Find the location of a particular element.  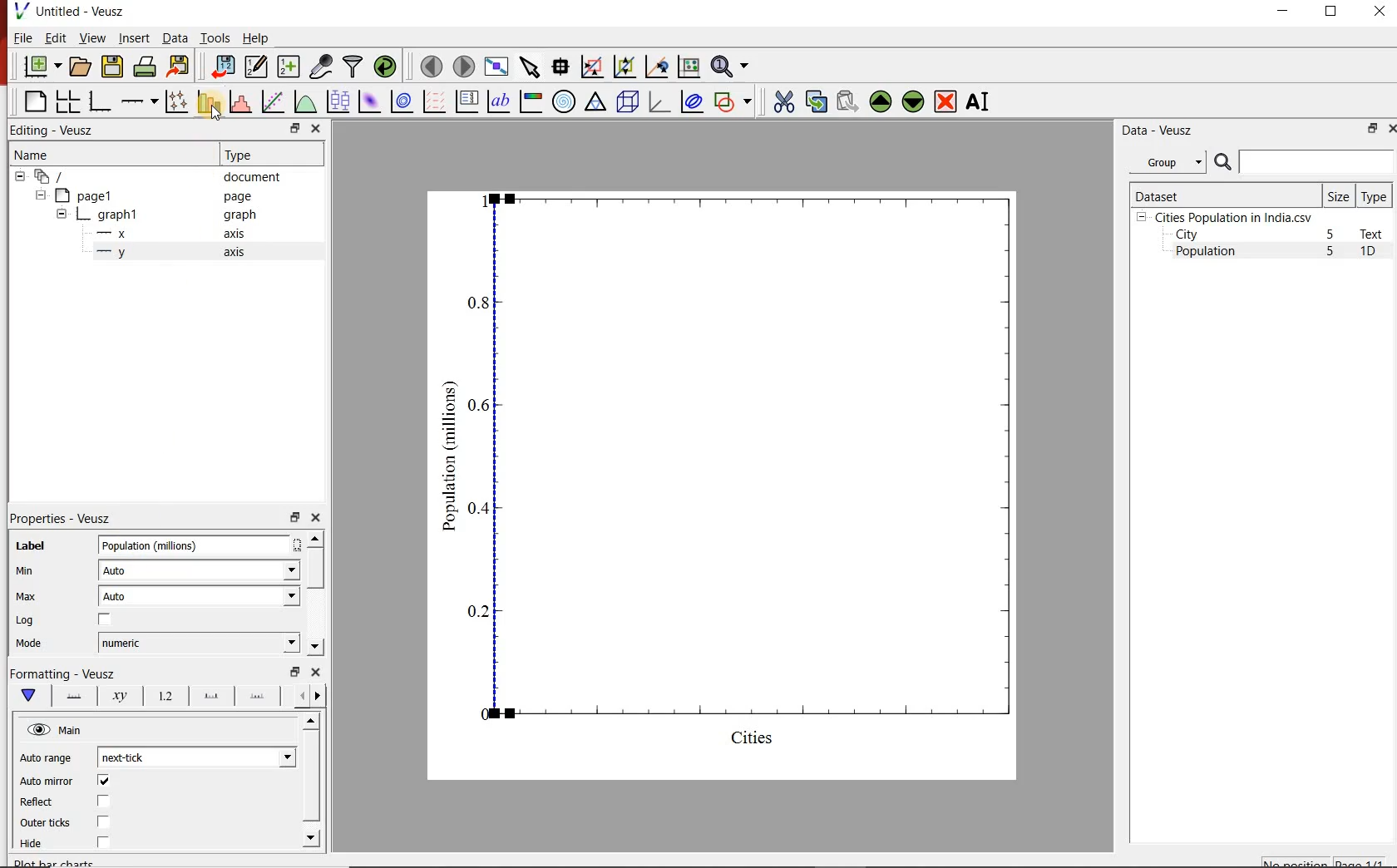

y axis is located at coordinates (174, 253).